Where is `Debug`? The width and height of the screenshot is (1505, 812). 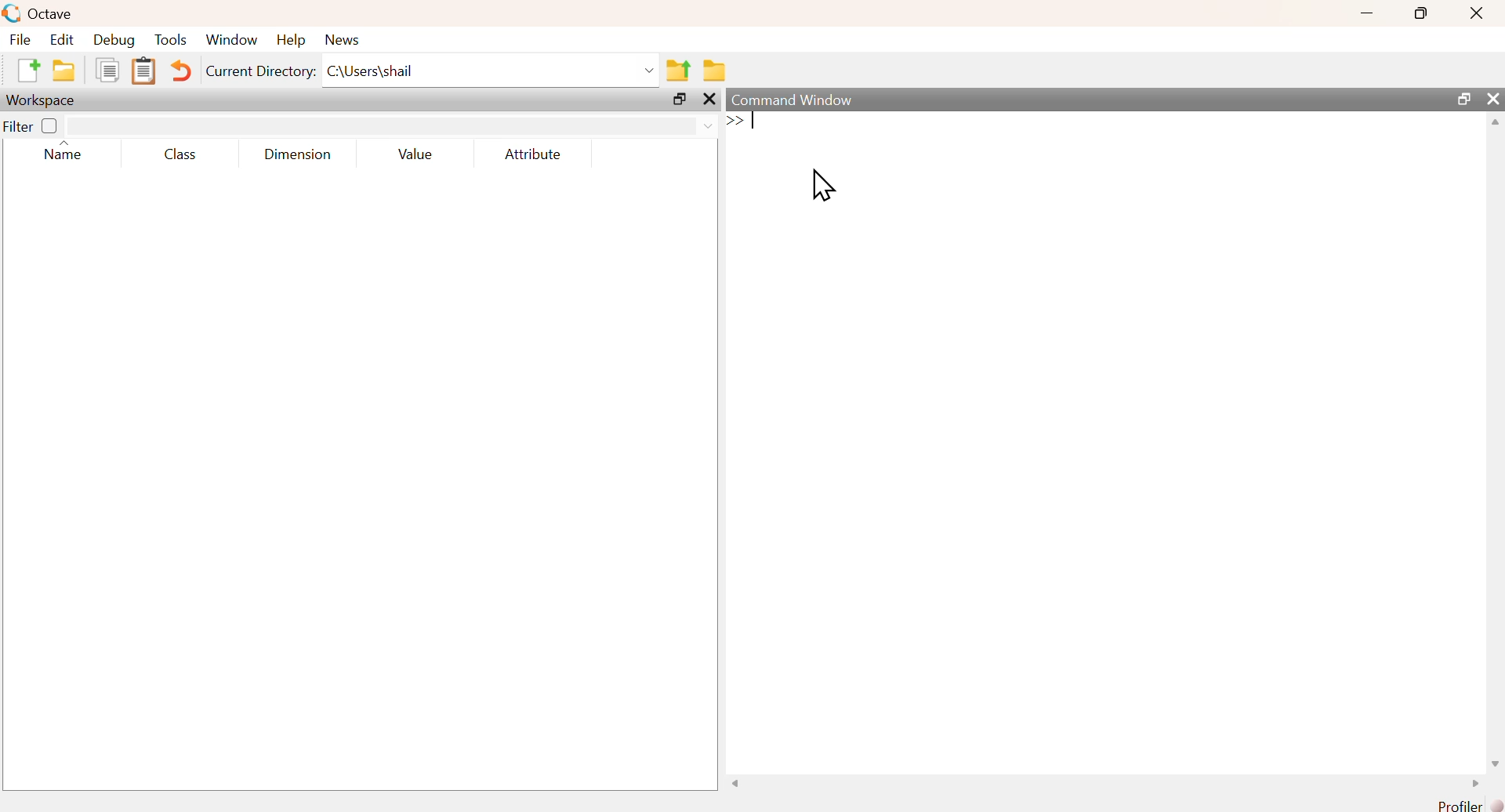
Debug is located at coordinates (114, 40).